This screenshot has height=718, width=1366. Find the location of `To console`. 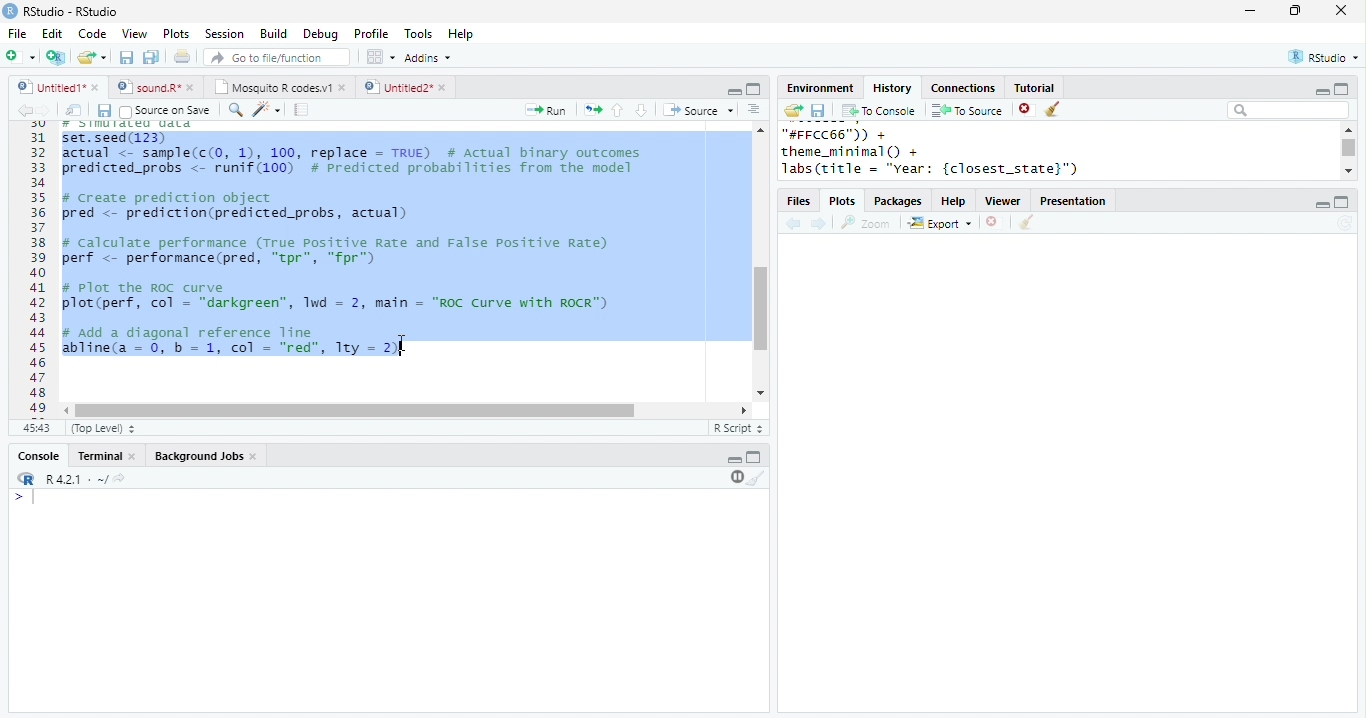

To console is located at coordinates (879, 111).